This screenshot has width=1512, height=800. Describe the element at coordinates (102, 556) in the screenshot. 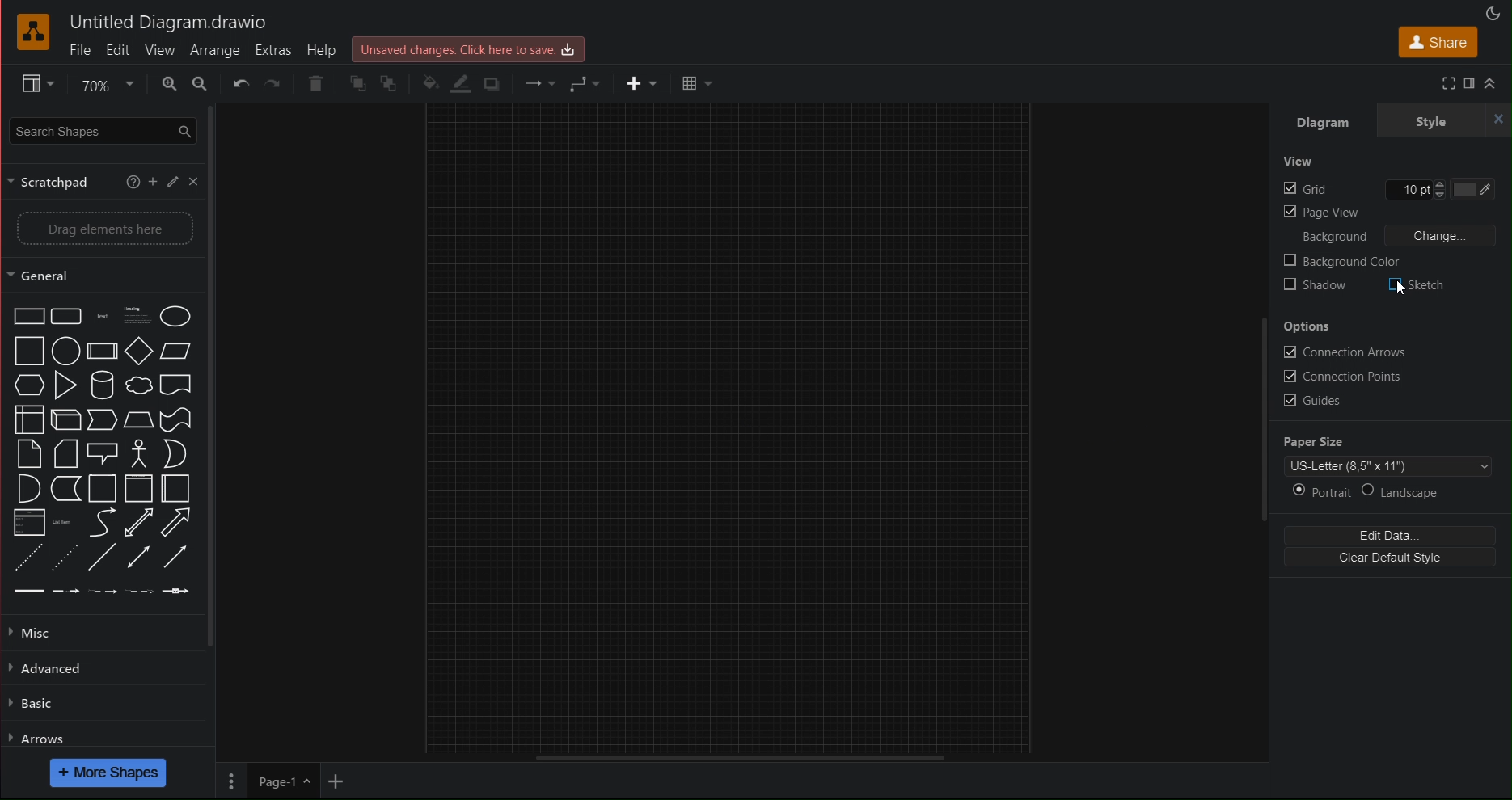

I see `line` at that location.